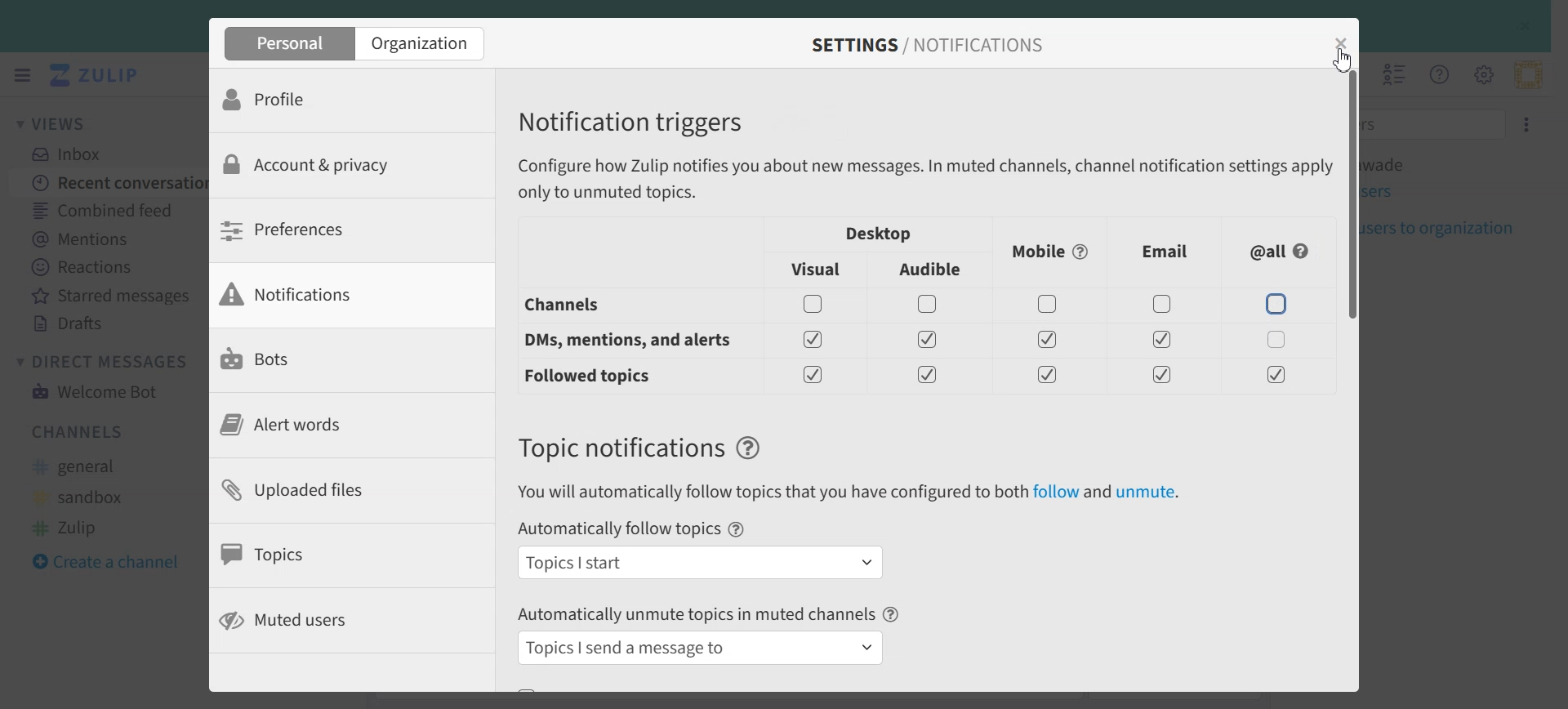 The height and width of the screenshot is (709, 1568). I want to click on Create a channel, so click(115, 560).